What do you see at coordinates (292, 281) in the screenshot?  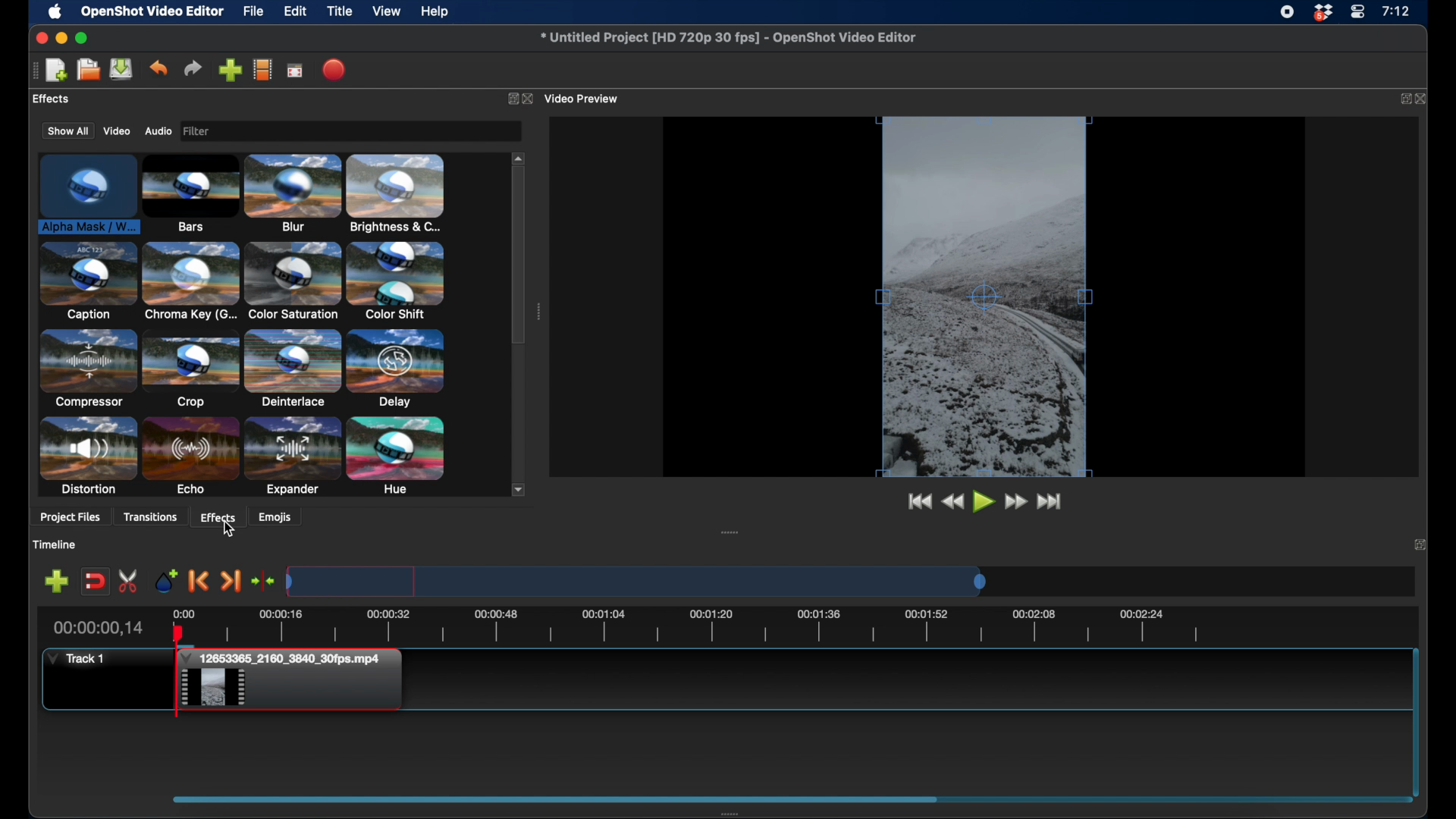 I see `color saturation` at bounding box center [292, 281].